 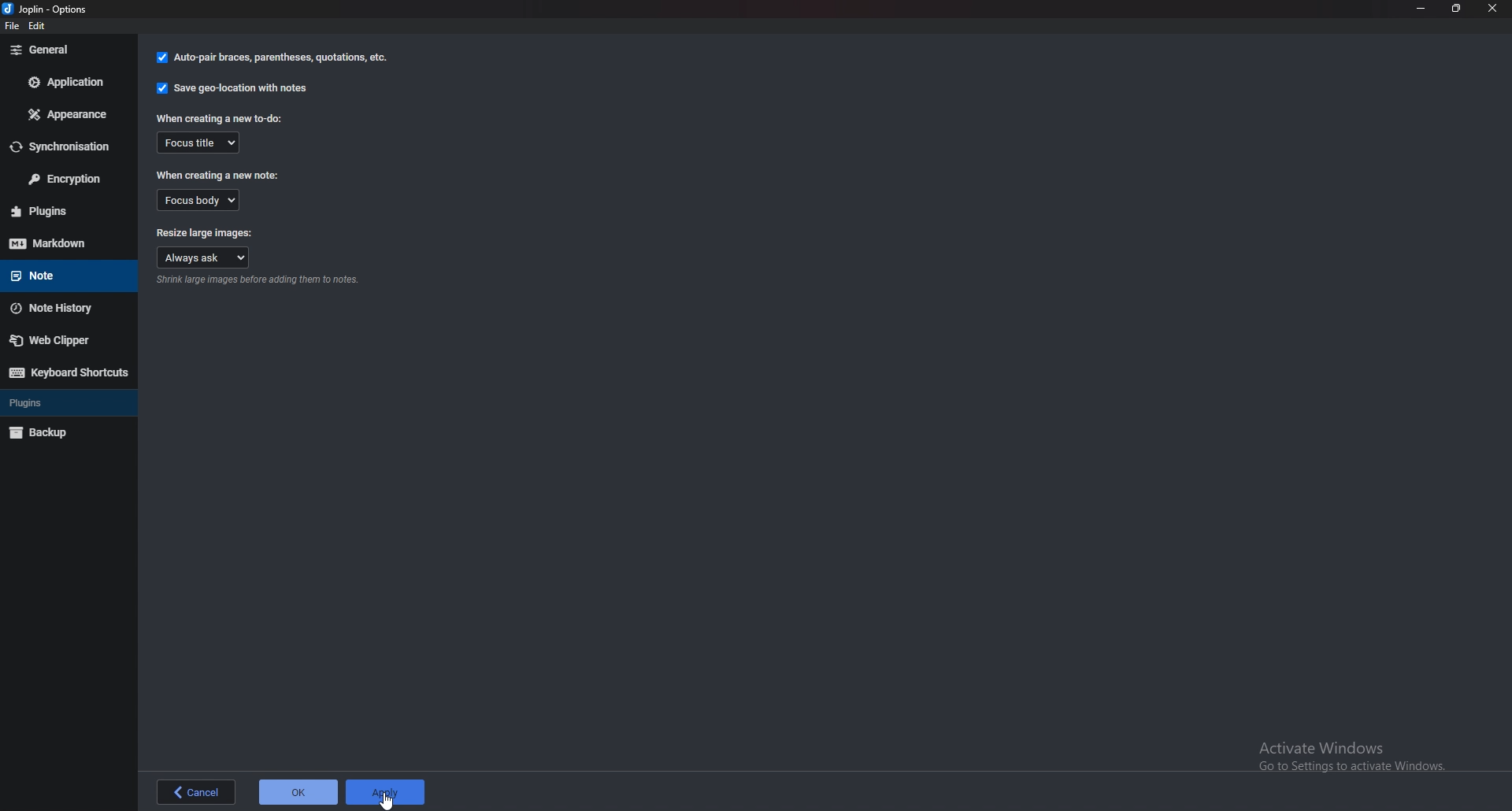 What do you see at coordinates (68, 81) in the screenshot?
I see `Application` at bounding box center [68, 81].